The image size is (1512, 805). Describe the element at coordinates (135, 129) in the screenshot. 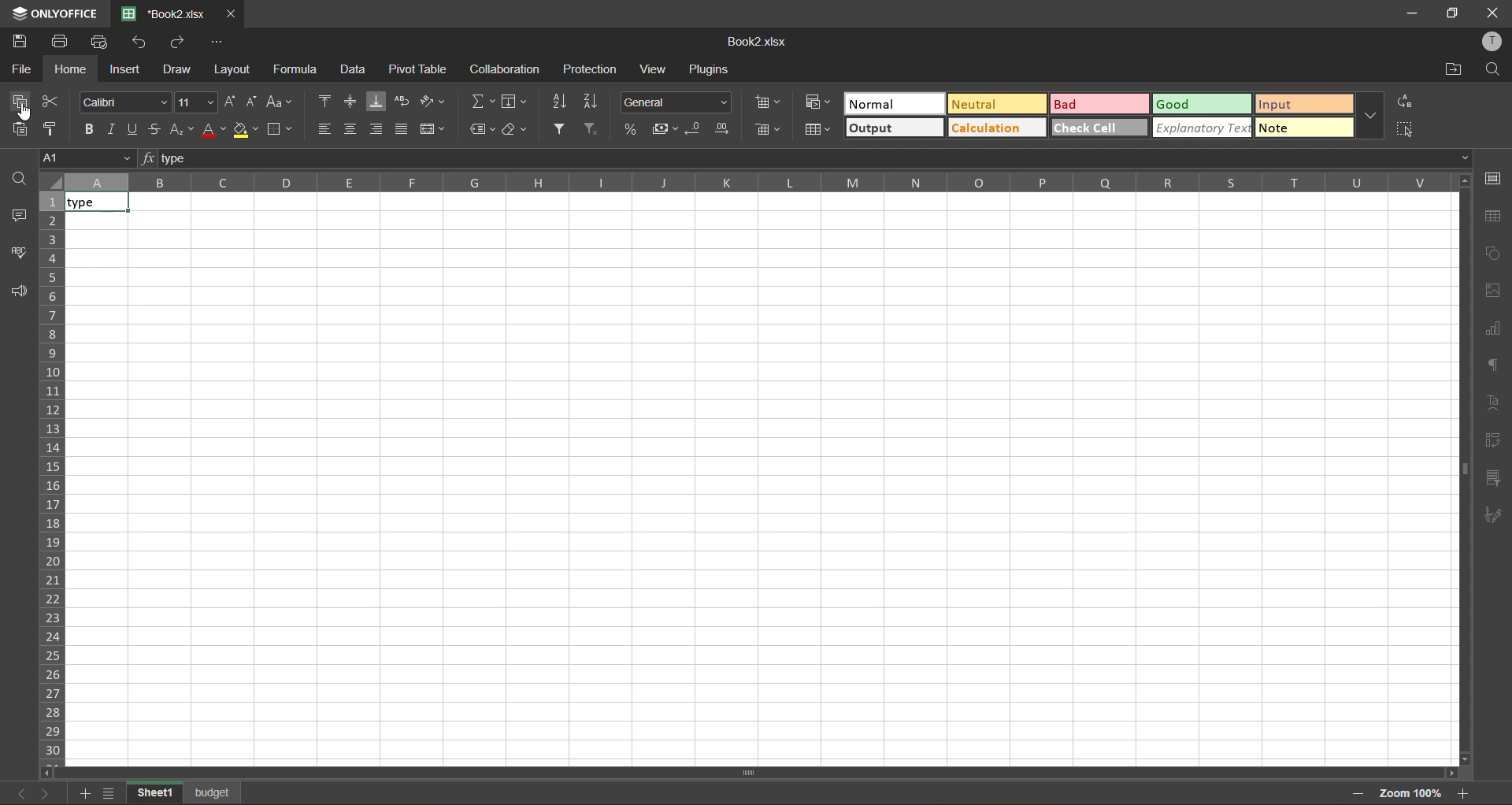

I see `underline` at that location.